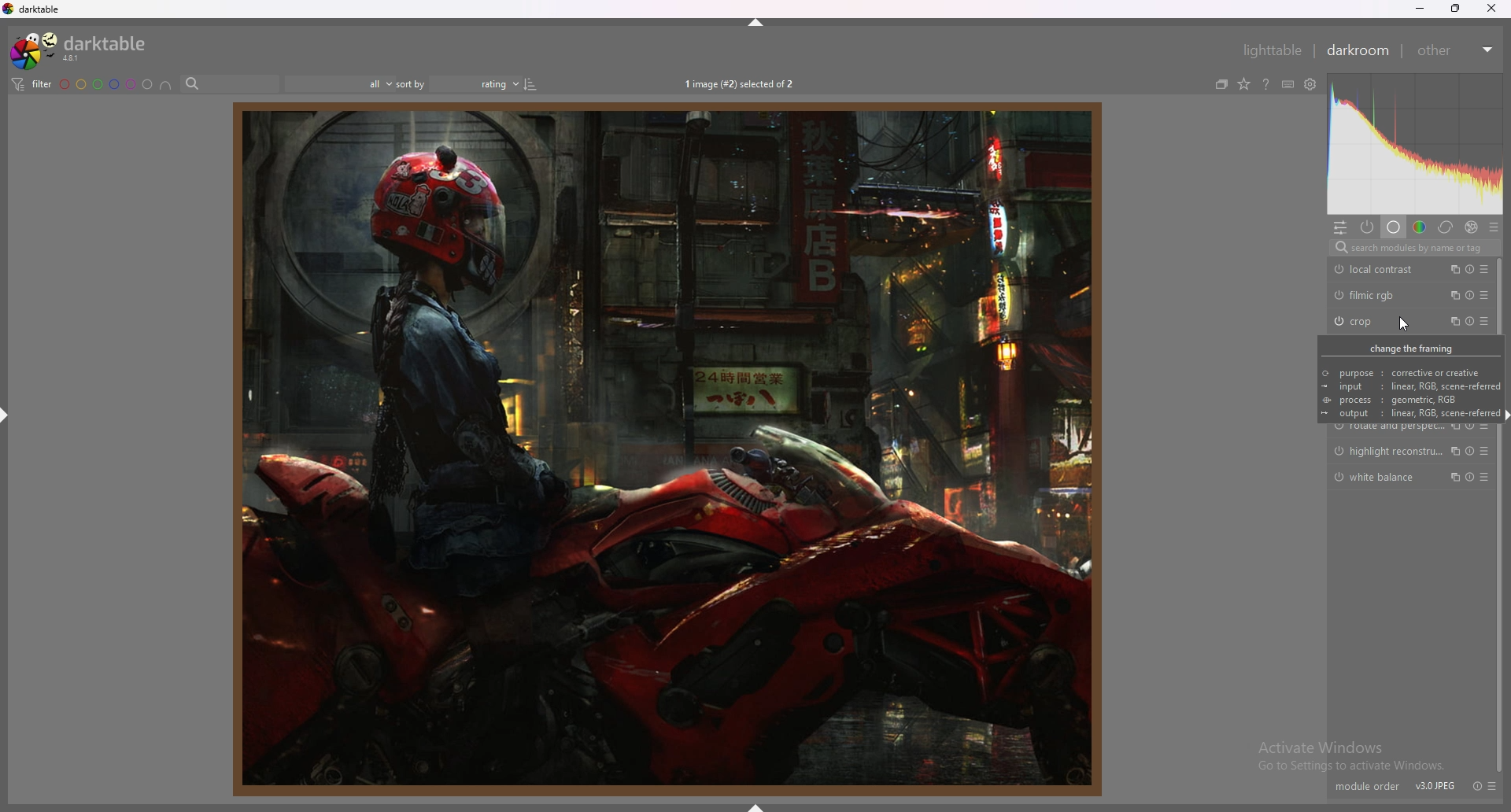 The image size is (1511, 812). What do you see at coordinates (1484, 320) in the screenshot?
I see `presets` at bounding box center [1484, 320].